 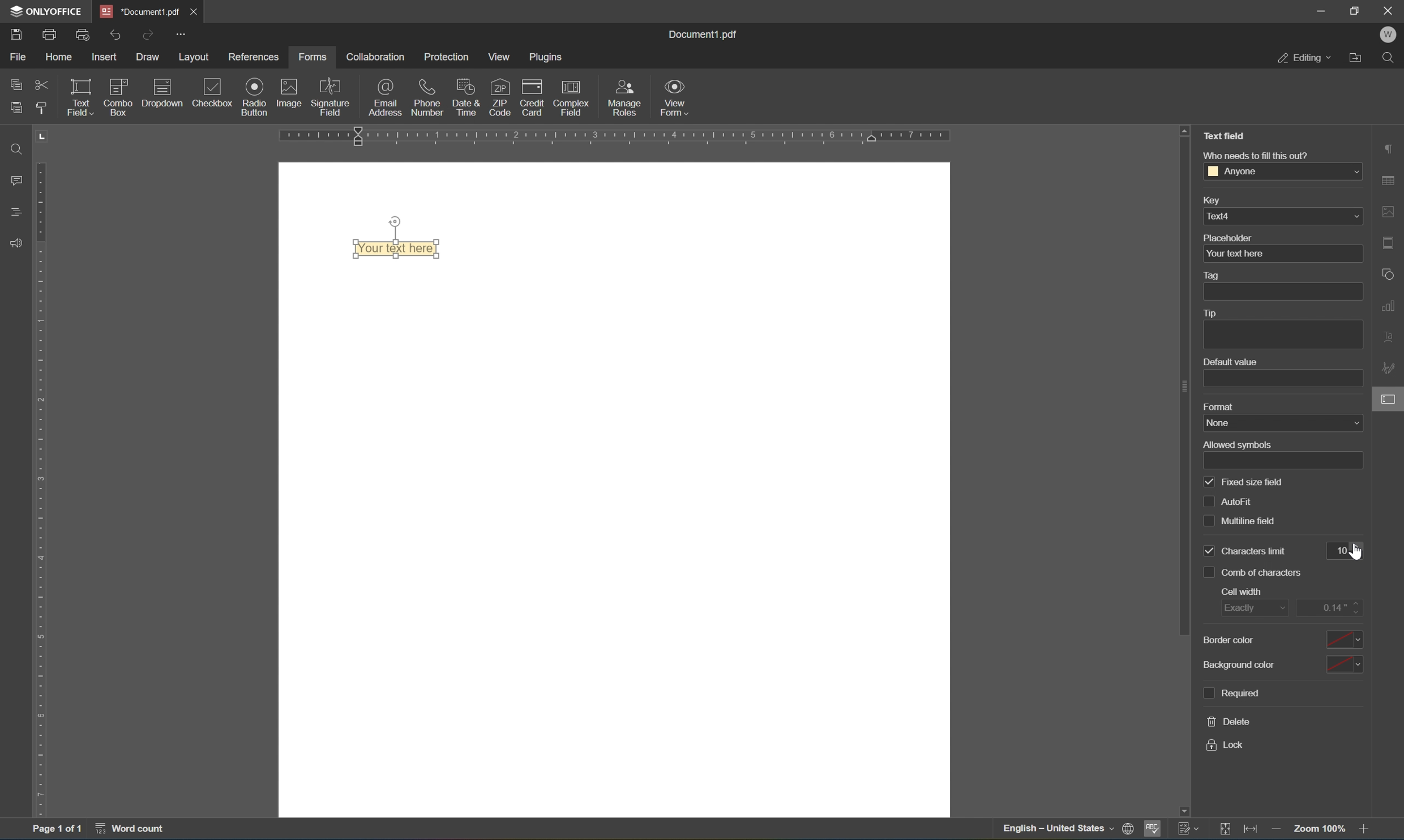 What do you see at coordinates (1223, 135) in the screenshot?
I see `text field` at bounding box center [1223, 135].